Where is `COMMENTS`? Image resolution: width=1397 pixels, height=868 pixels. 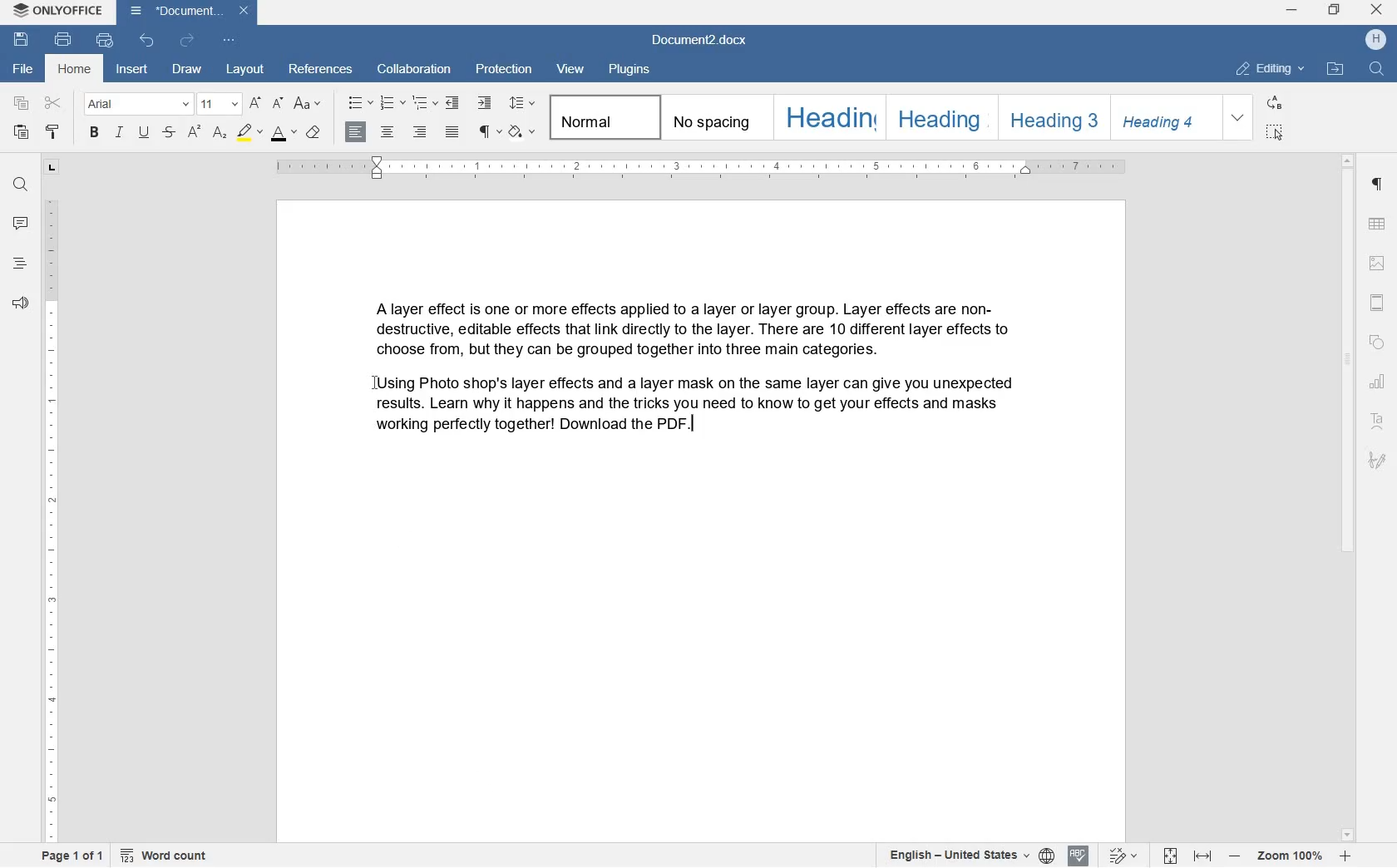 COMMENTS is located at coordinates (19, 223).